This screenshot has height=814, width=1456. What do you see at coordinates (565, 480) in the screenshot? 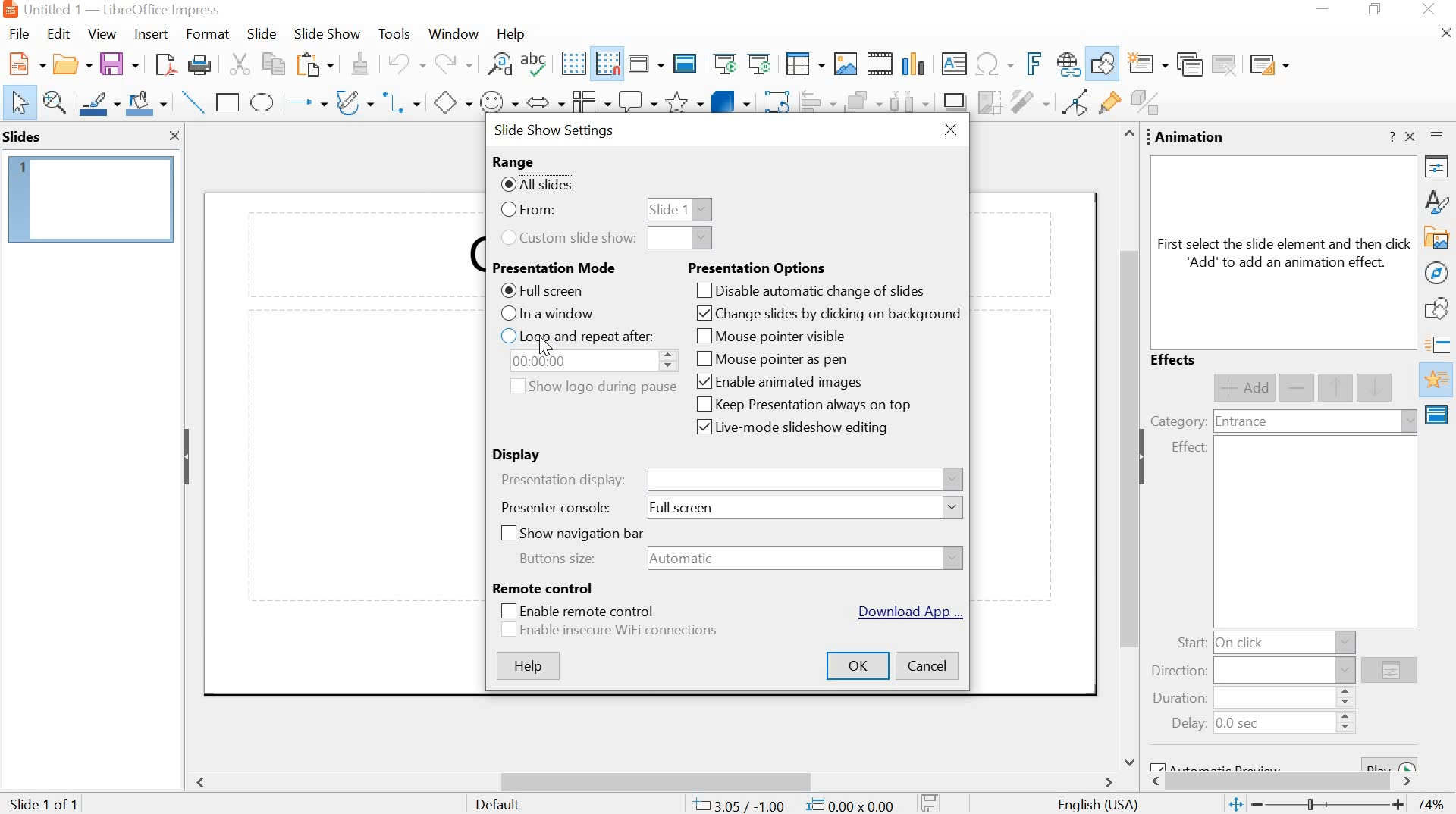
I see `presentation display` at bounding box center [565, 480].